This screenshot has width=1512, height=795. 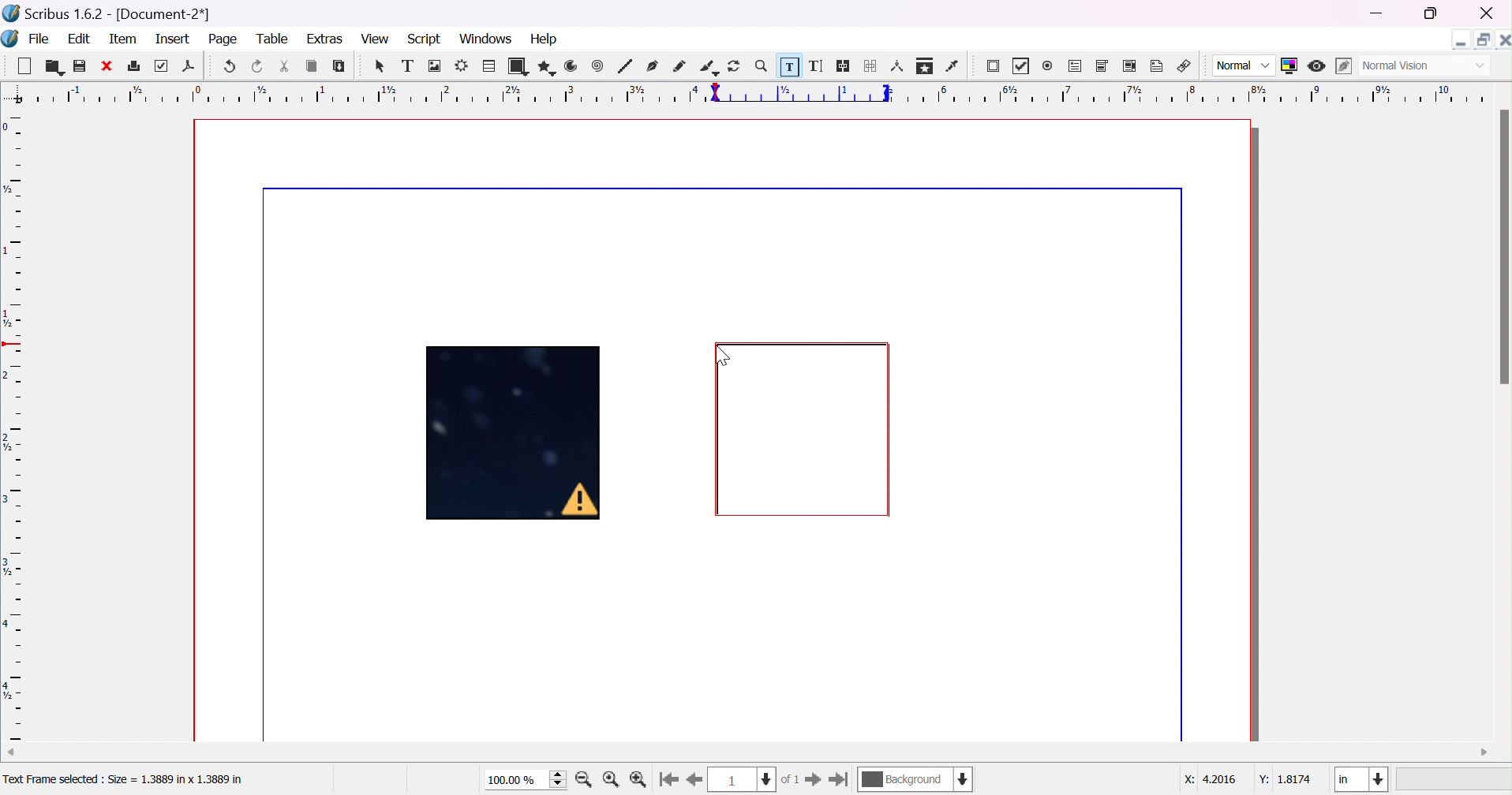 I want to click on normal vision, so click(x=1424, y=66).